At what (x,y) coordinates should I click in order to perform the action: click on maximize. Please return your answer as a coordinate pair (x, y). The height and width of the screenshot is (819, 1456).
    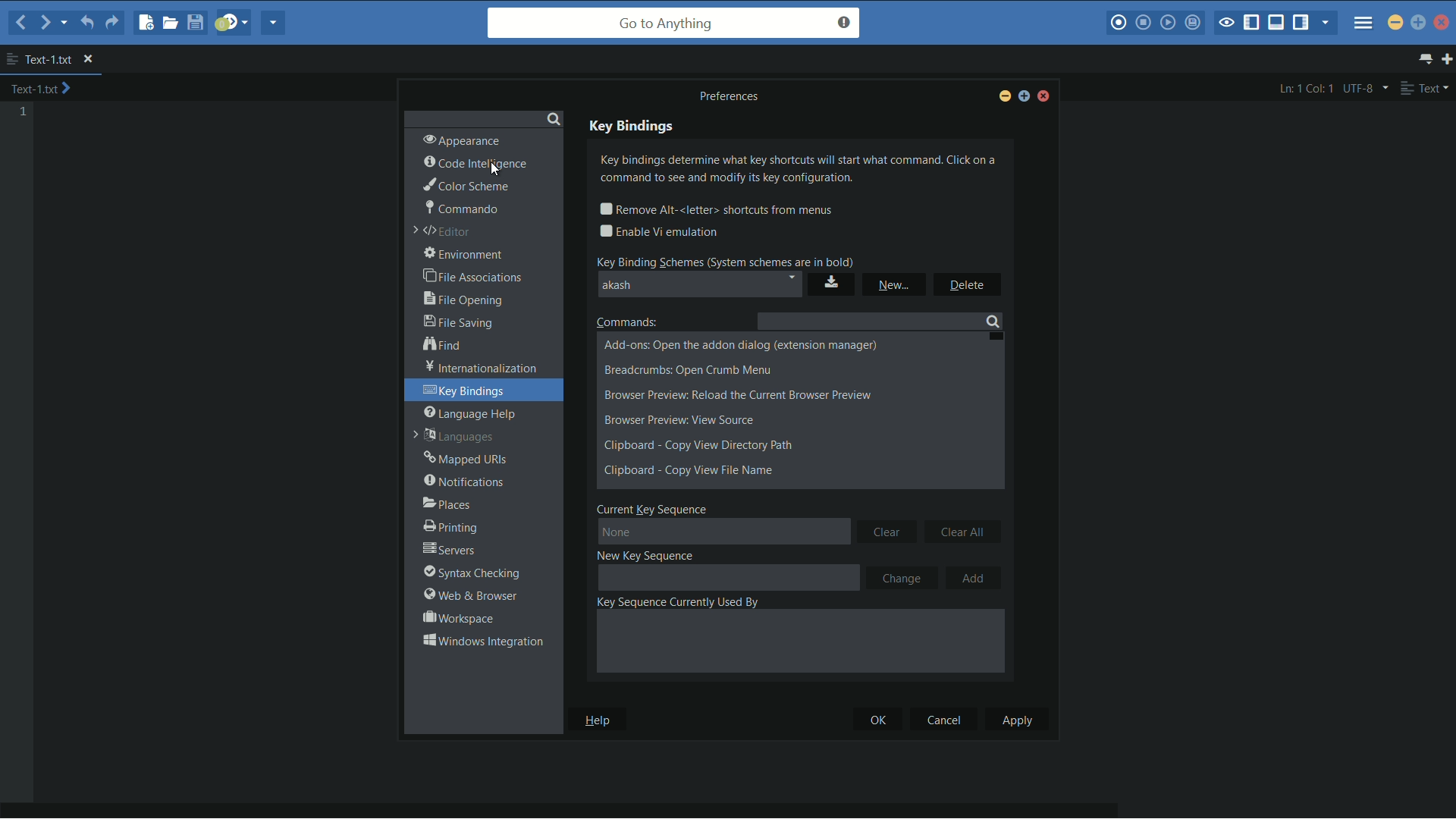
    Looking at the image, I should click on (1023, 99).